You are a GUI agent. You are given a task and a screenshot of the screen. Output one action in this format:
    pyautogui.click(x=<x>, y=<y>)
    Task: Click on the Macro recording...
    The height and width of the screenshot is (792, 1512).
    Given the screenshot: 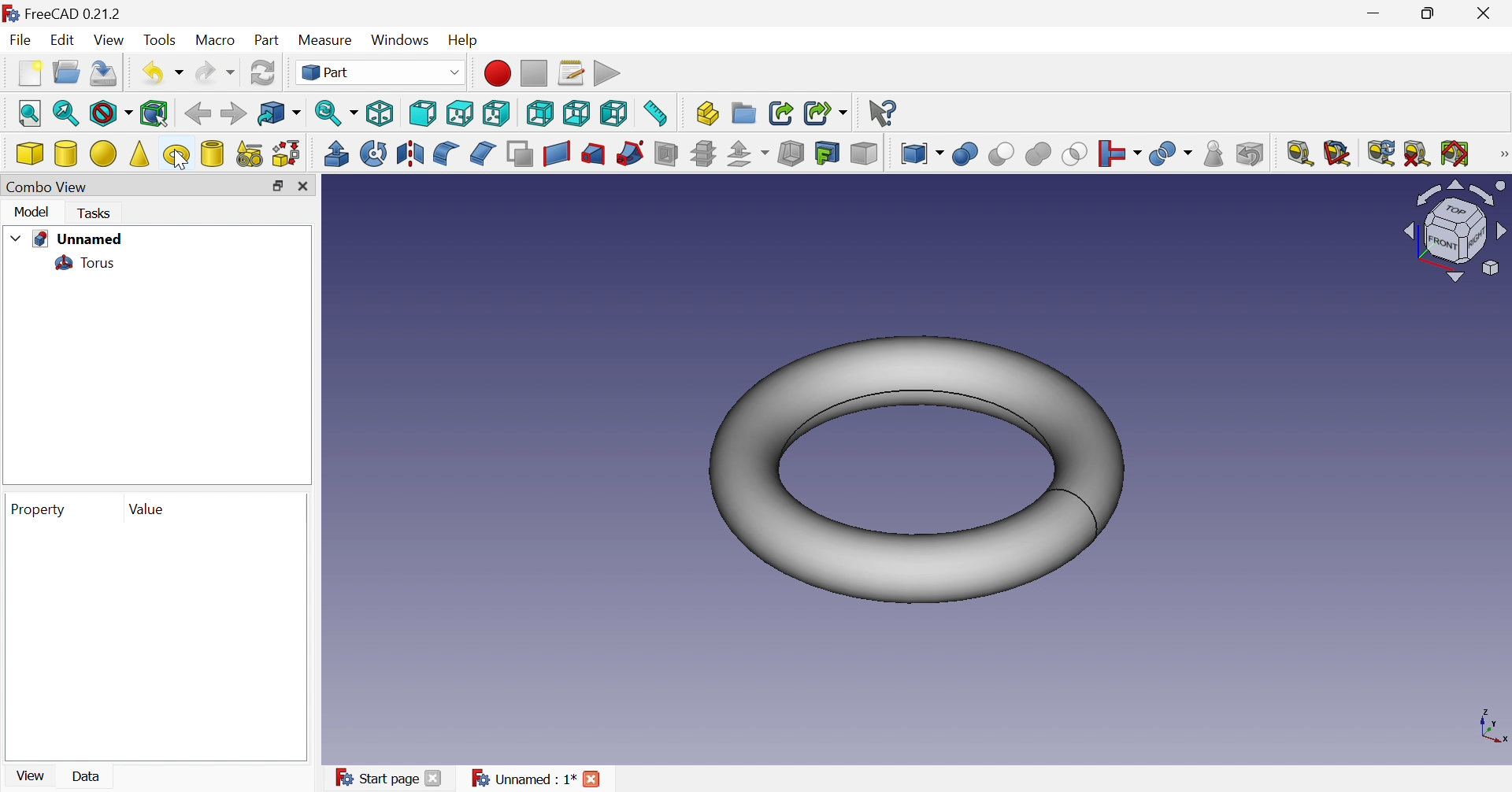 What is the action you would take?
    pyautogui.click(x=498, y=73)
    